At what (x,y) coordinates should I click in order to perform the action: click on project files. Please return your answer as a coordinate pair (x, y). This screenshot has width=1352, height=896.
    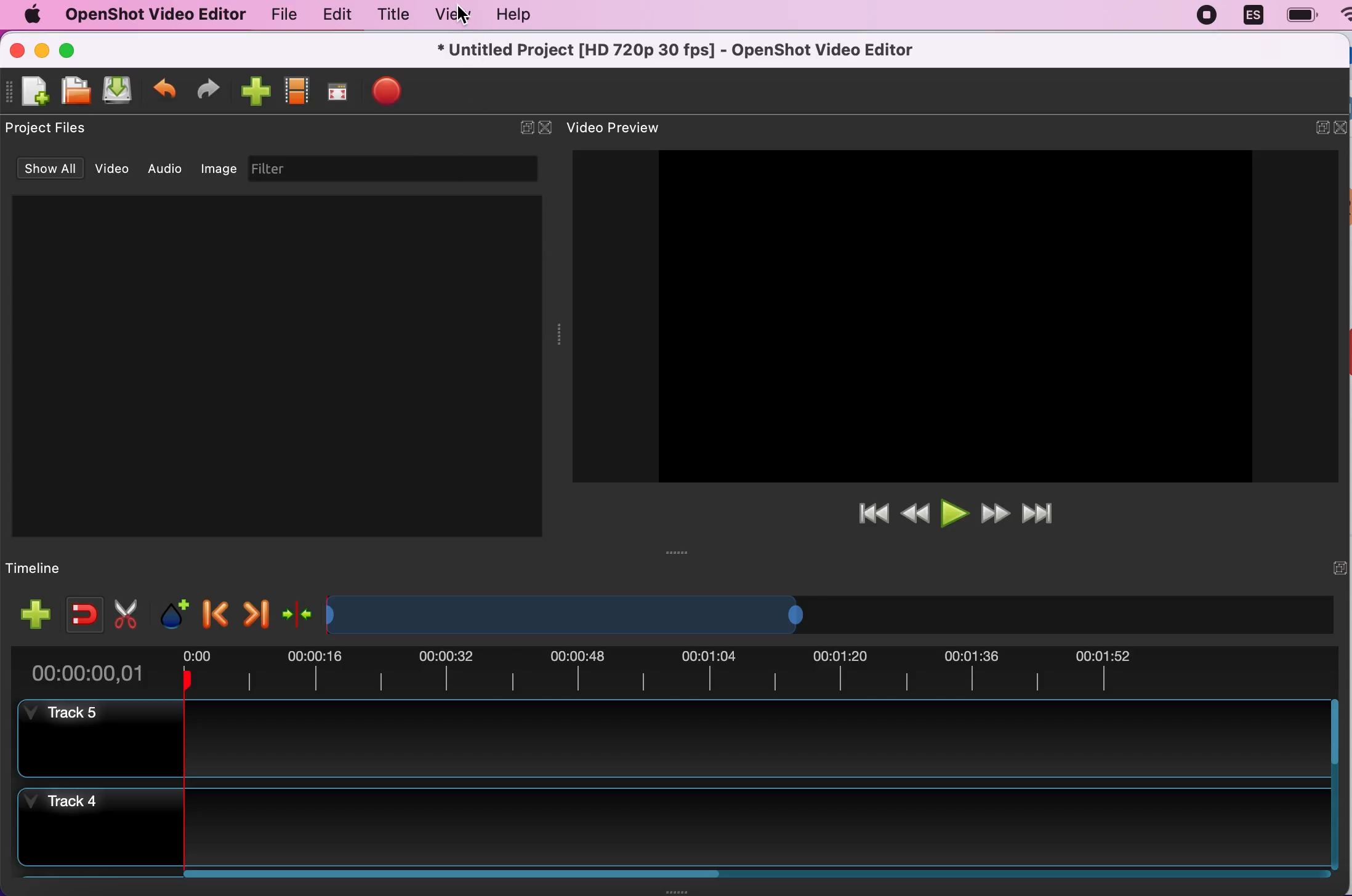
    Looking at the image, I should click on (47, 129).